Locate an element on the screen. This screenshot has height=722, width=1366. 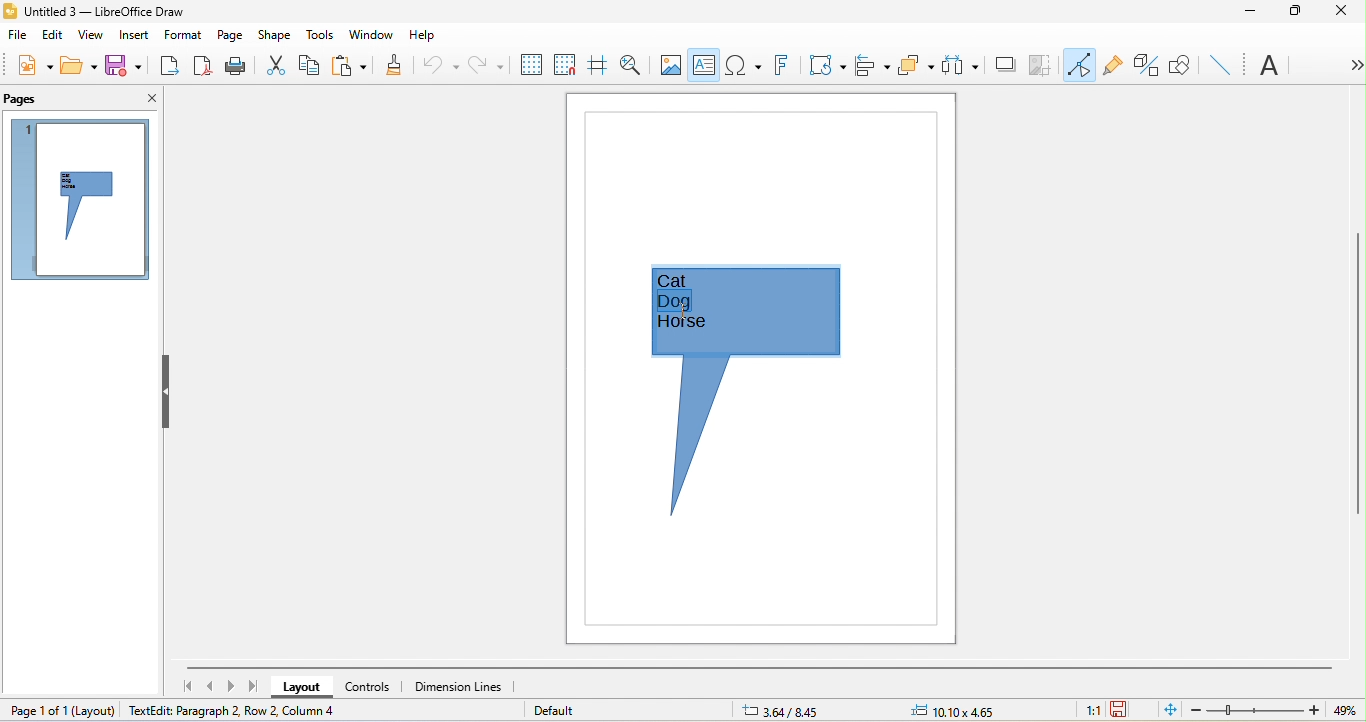
fit to the current window is located at coordinates (1166, 709).